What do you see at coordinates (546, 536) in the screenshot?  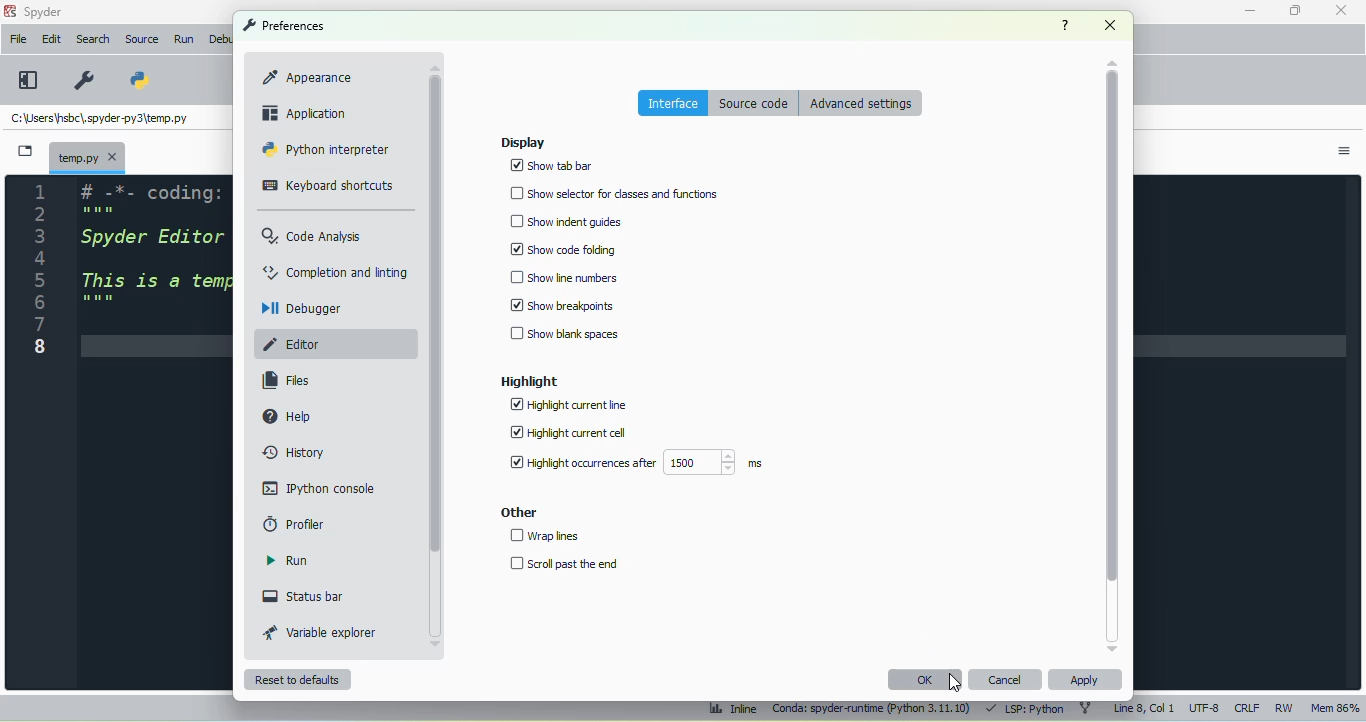 I see `wrap lines` at bounding box center [546, 536].